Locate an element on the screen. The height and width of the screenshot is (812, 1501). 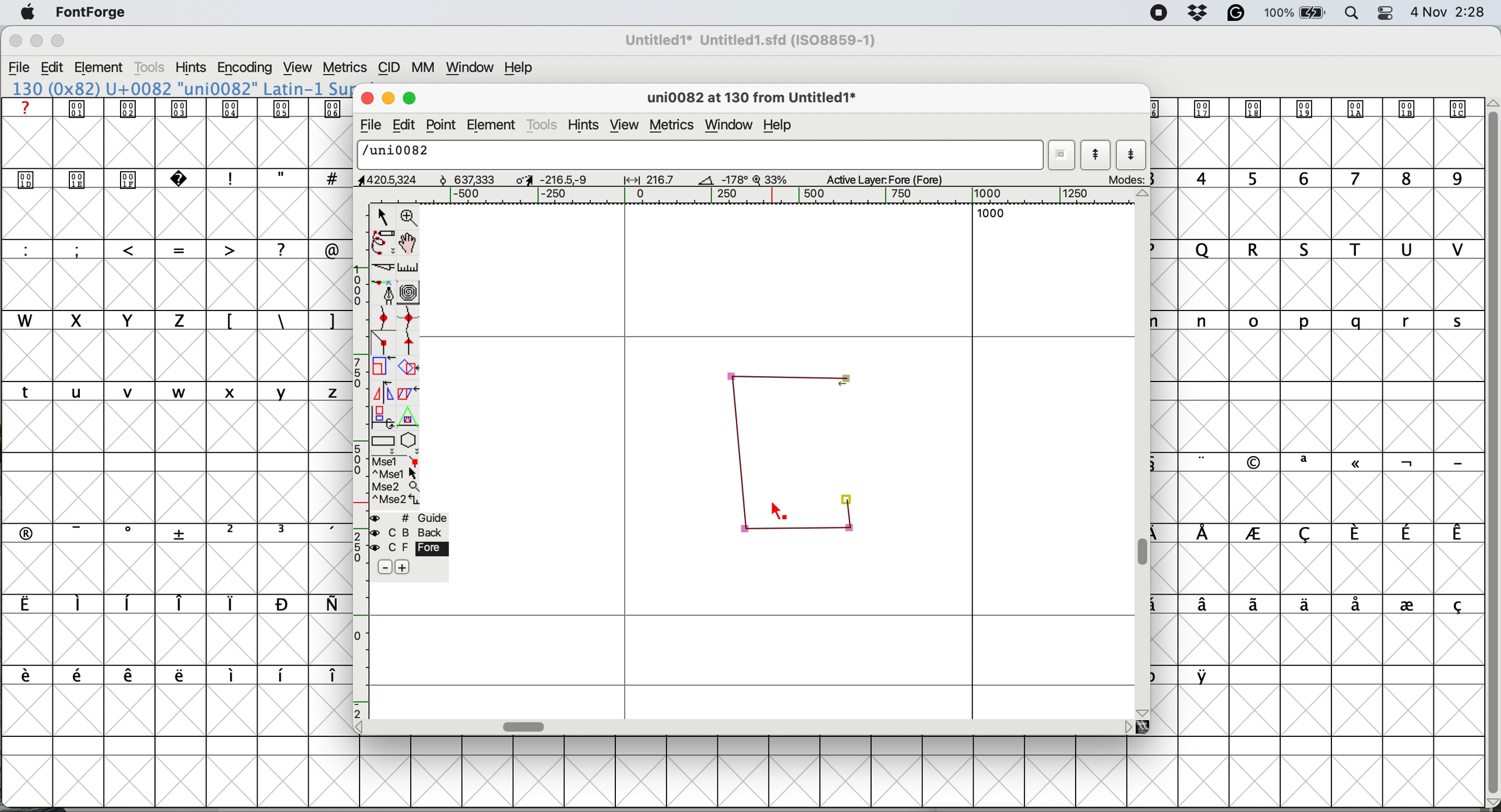
symbols is located at coordinates (185, 532).